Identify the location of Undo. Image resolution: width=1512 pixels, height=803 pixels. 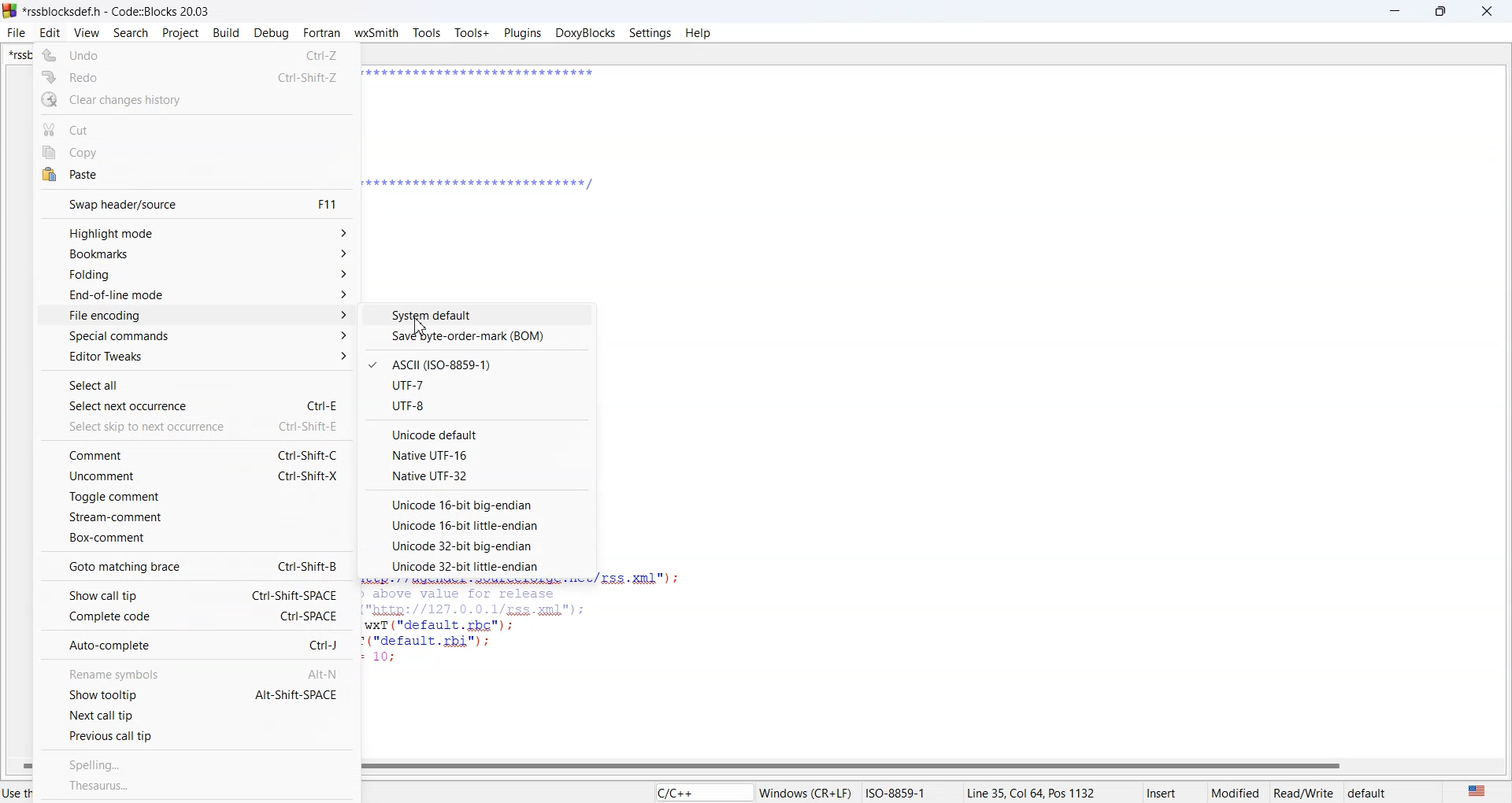
(195, 54).